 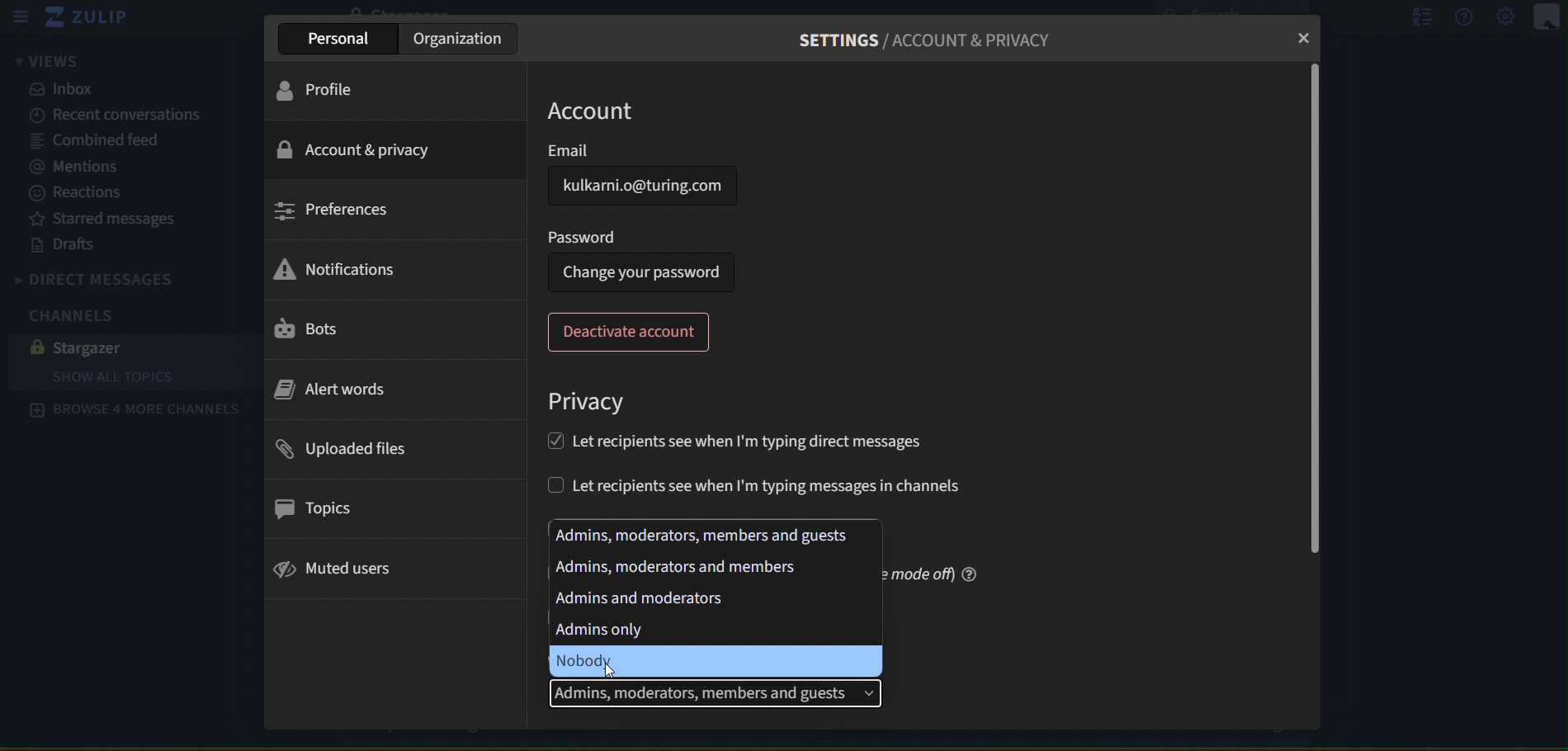 I want to click on zulip, so click(x=93, y=21).